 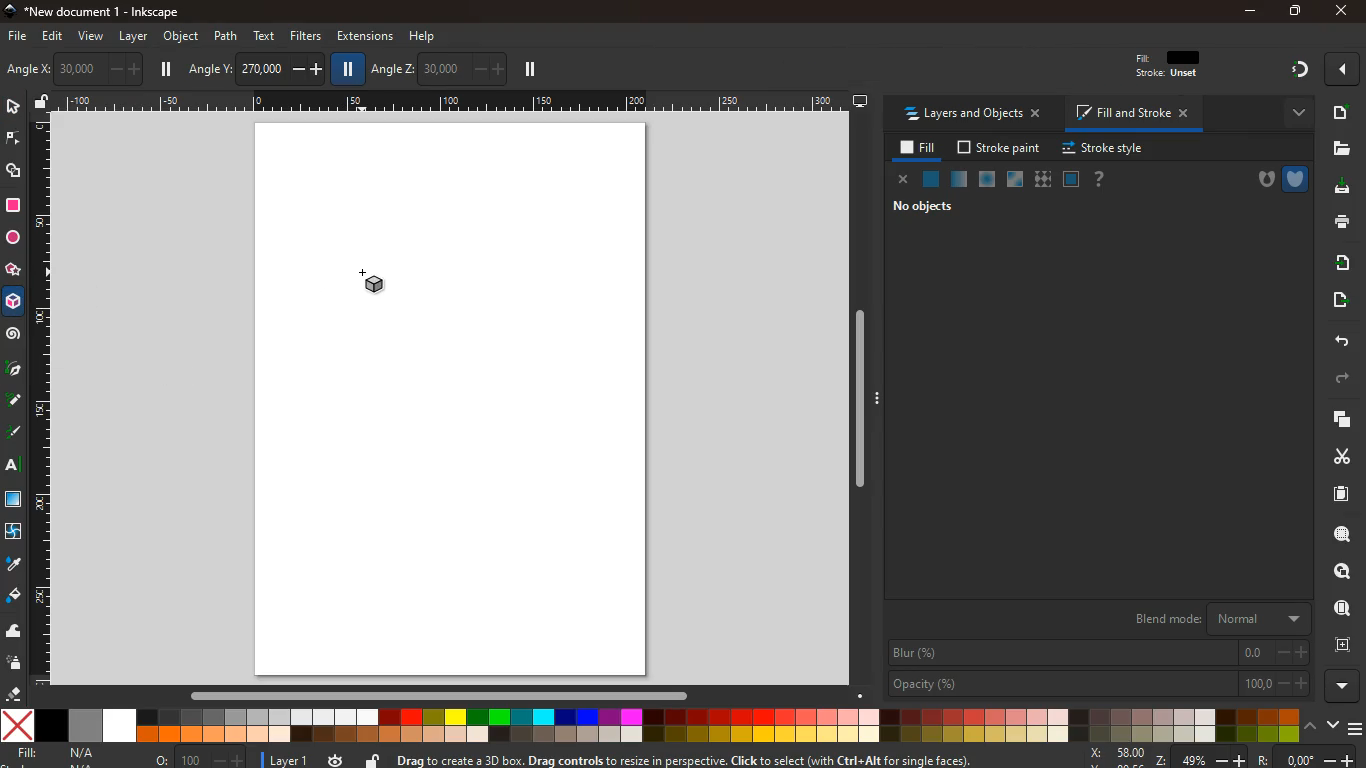 I want to click on find, so click(x=1343, y=571).